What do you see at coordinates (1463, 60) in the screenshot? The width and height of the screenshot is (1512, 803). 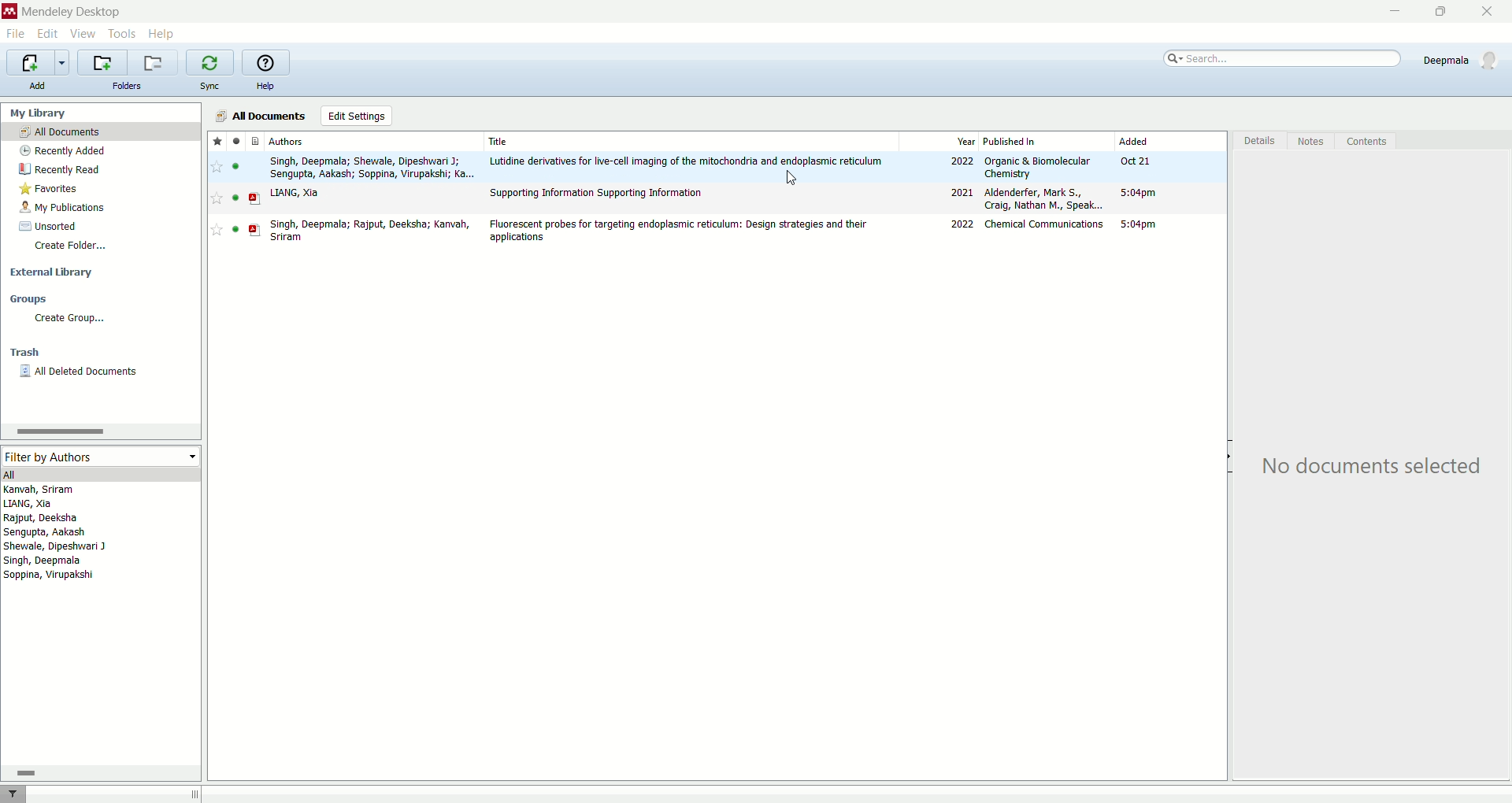 I see `Deepmala` at bounding box center [1463, 60].